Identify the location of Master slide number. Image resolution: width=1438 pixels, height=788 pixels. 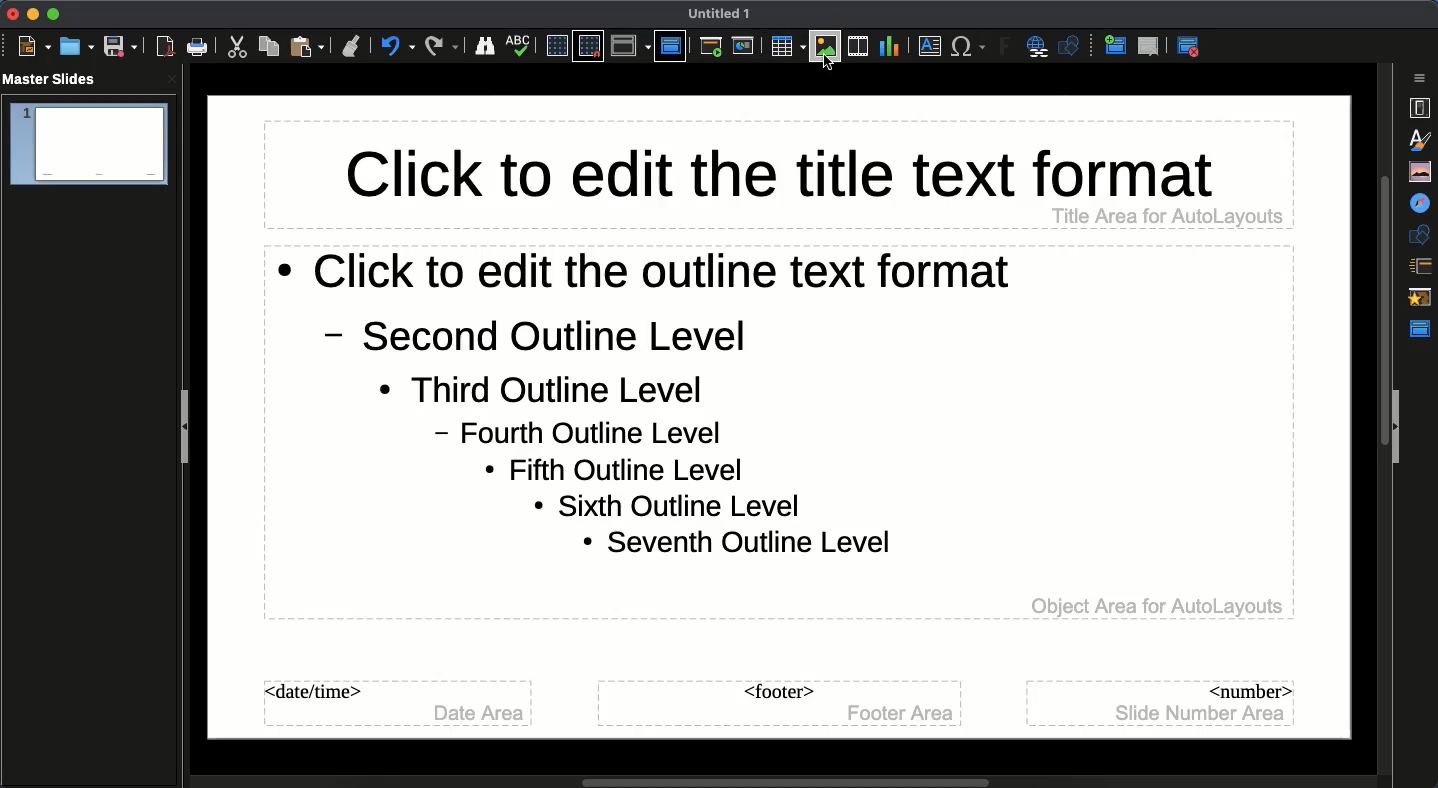
(1163, 702).